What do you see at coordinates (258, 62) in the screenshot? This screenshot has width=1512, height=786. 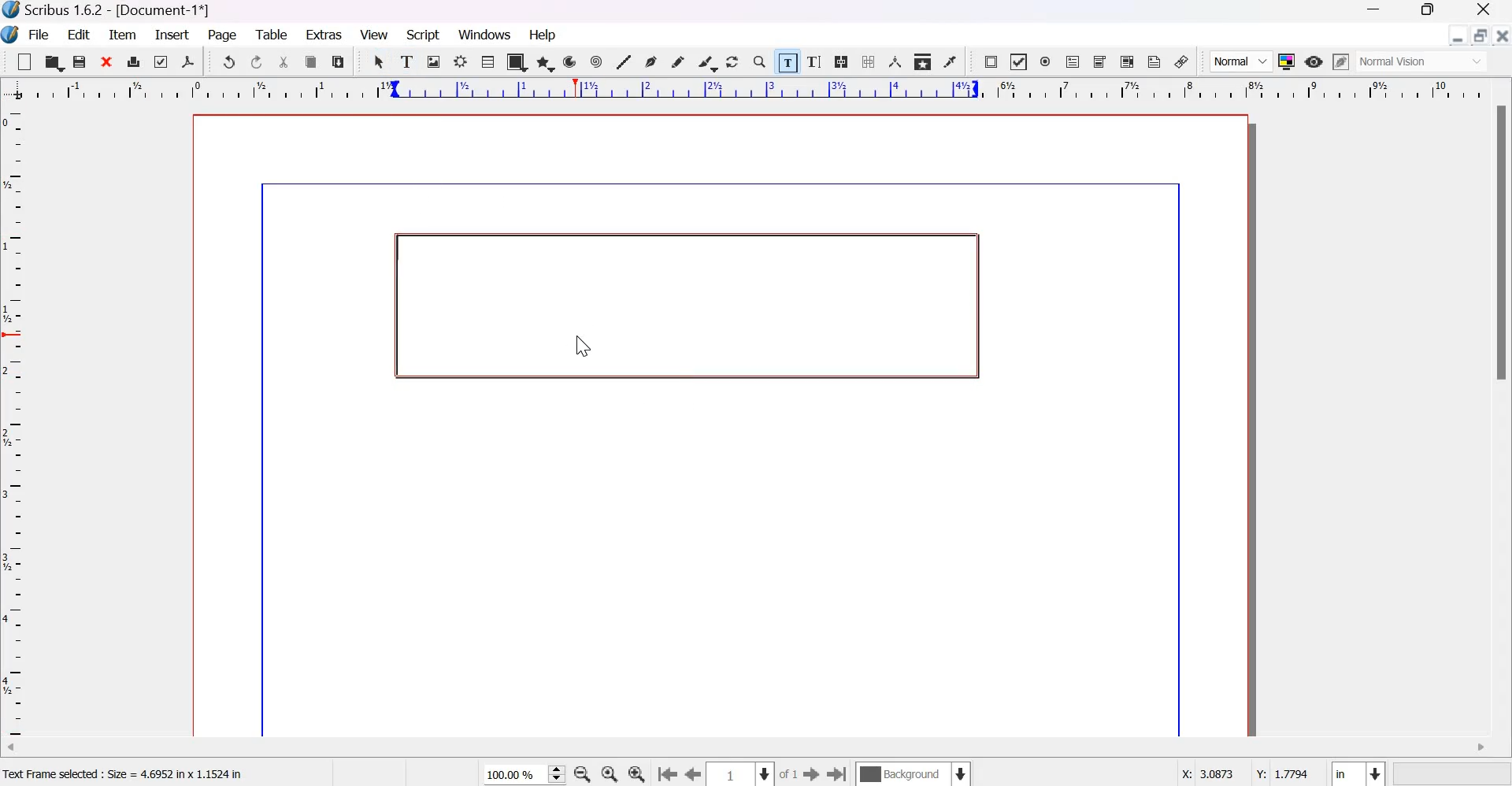 I see `redo` at bounding box center [258, 62].